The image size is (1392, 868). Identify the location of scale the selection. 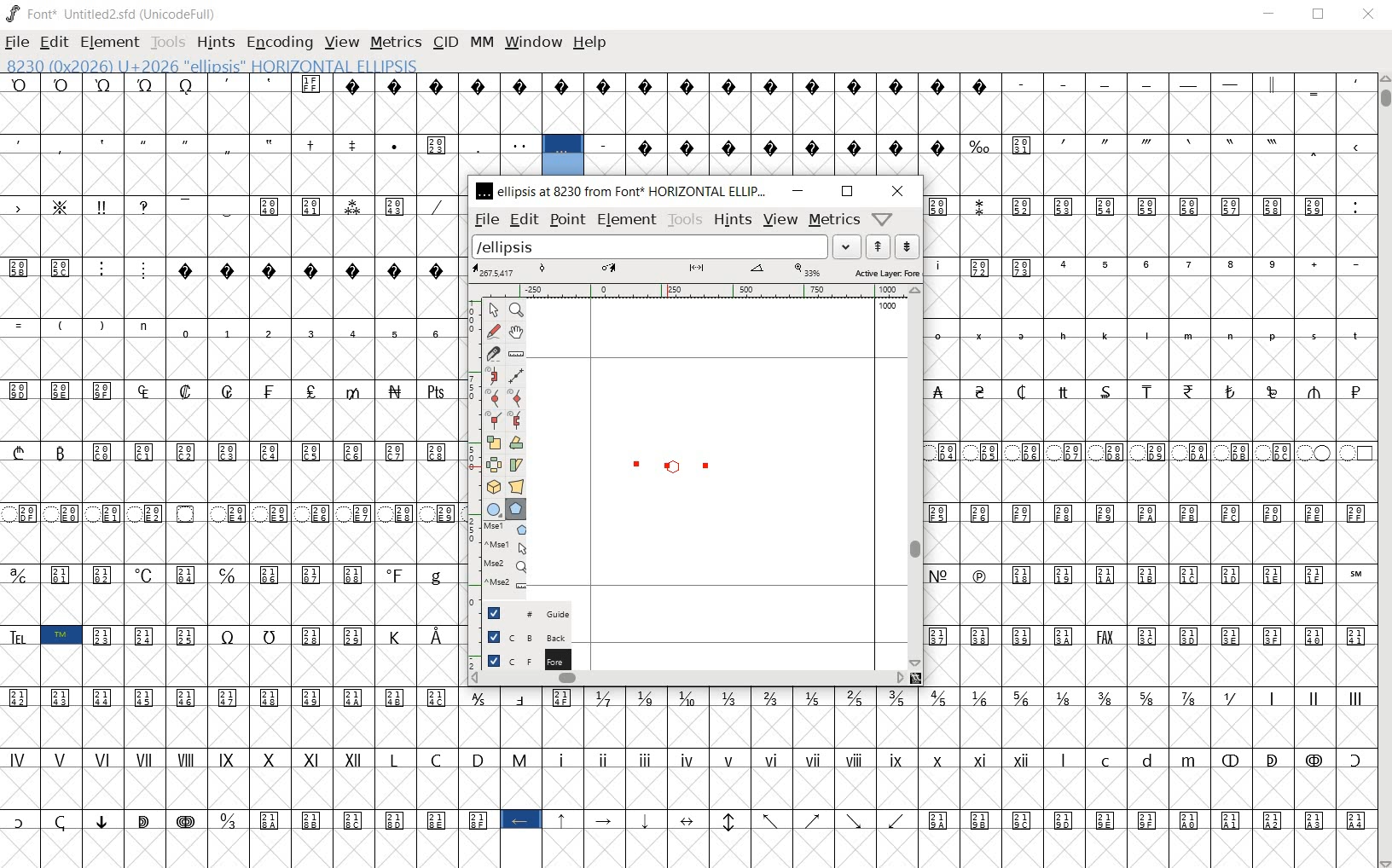
(492, 441).